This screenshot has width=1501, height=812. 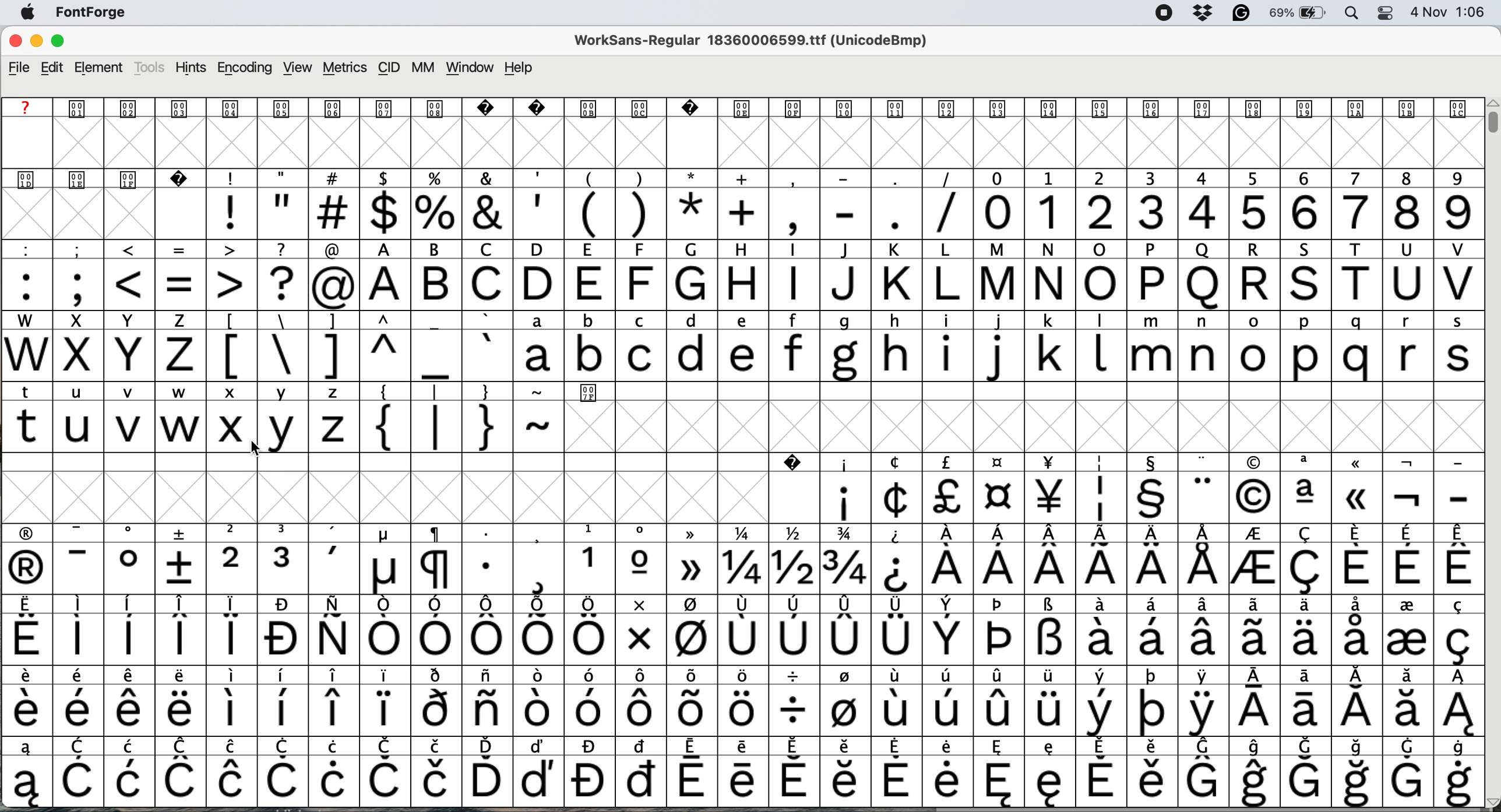 What do you see at coordinates (1201, 13) in the screenshot?
I see `dropbox` at bounding box center [1201, 13].